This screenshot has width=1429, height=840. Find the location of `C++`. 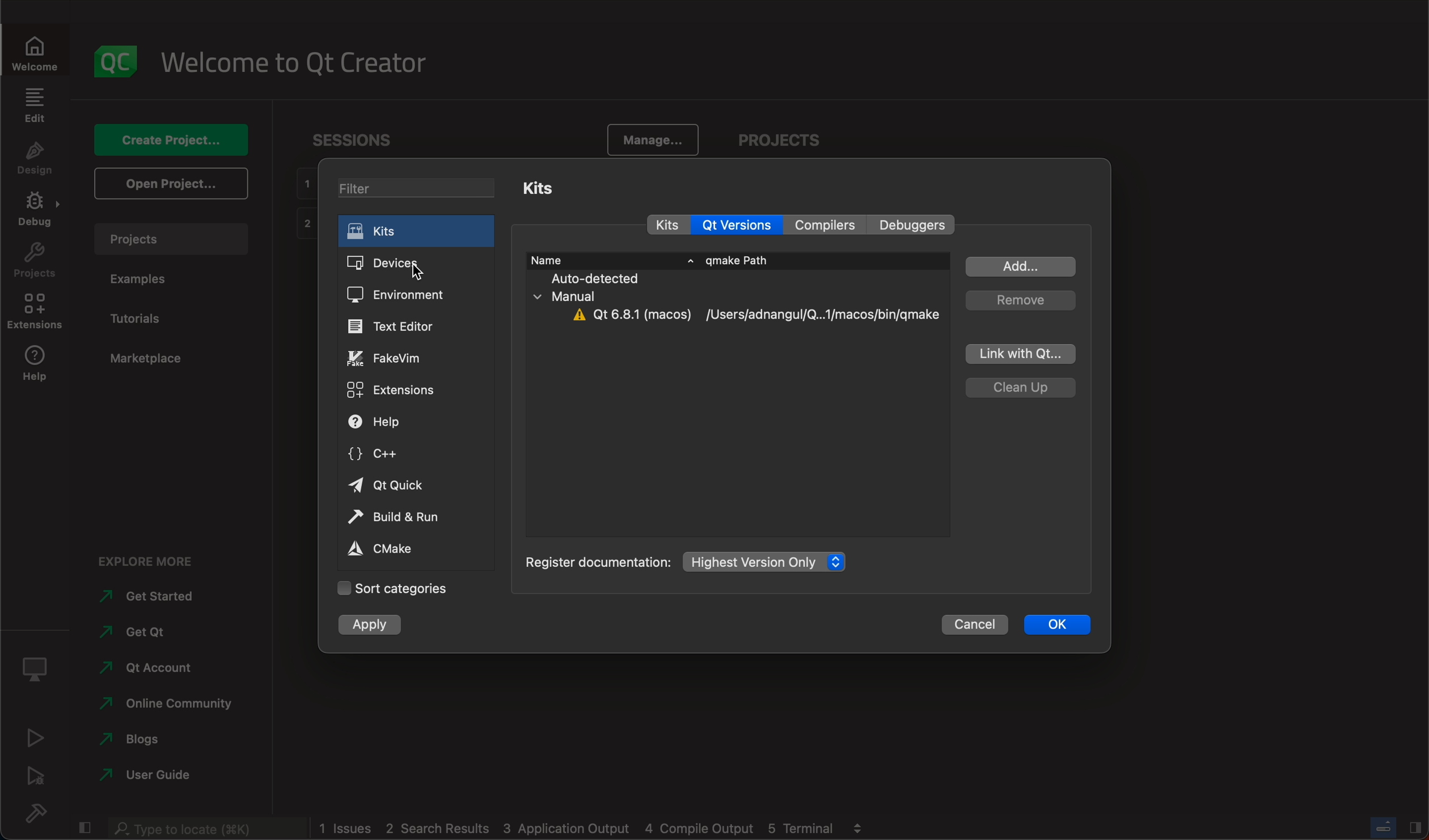

C++ is located at coordinates (400, 455).